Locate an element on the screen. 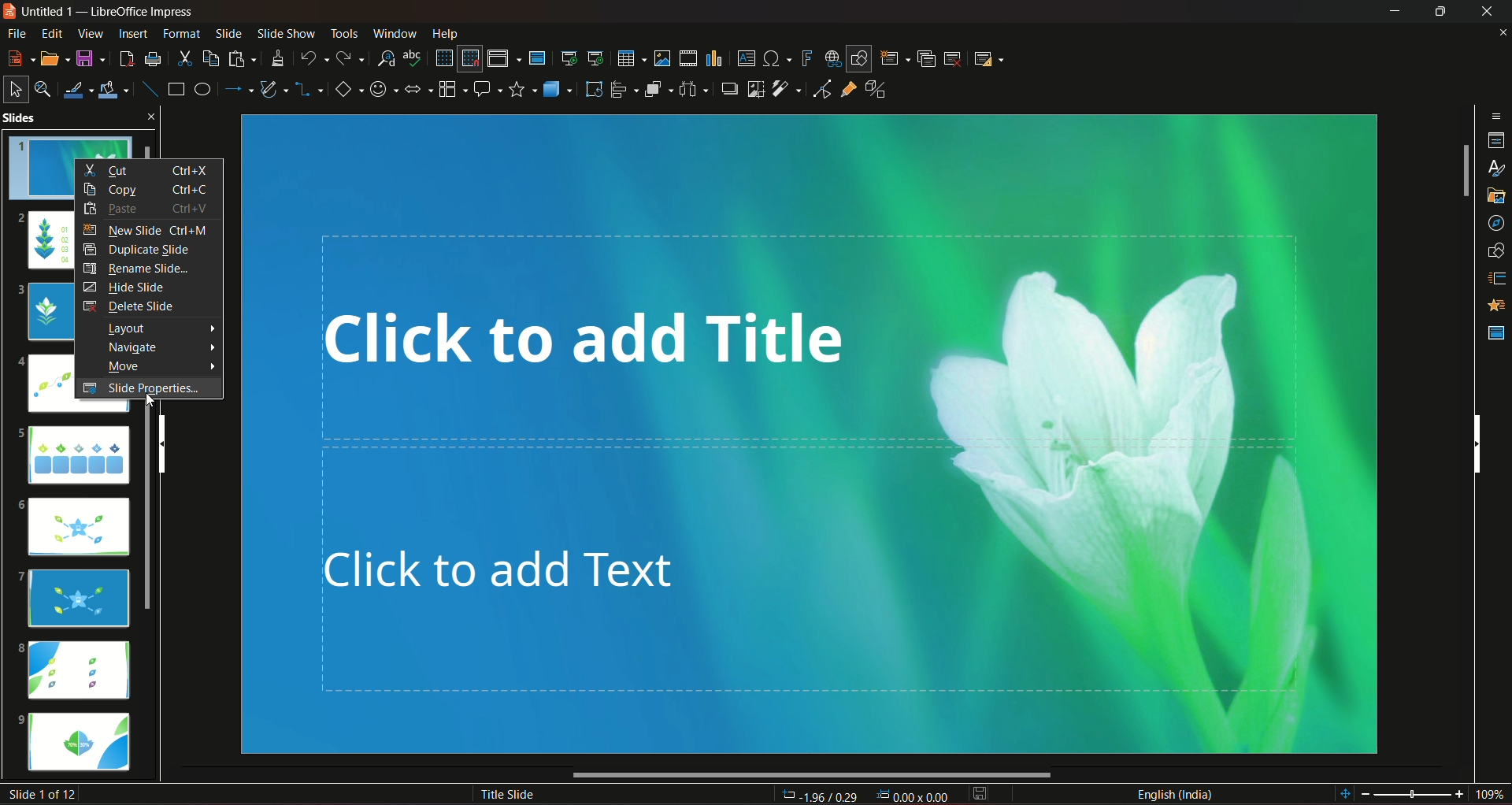 Image resolution: width=1512 pixels, height=805 pixels. copy is located at coordinates (116, 189).